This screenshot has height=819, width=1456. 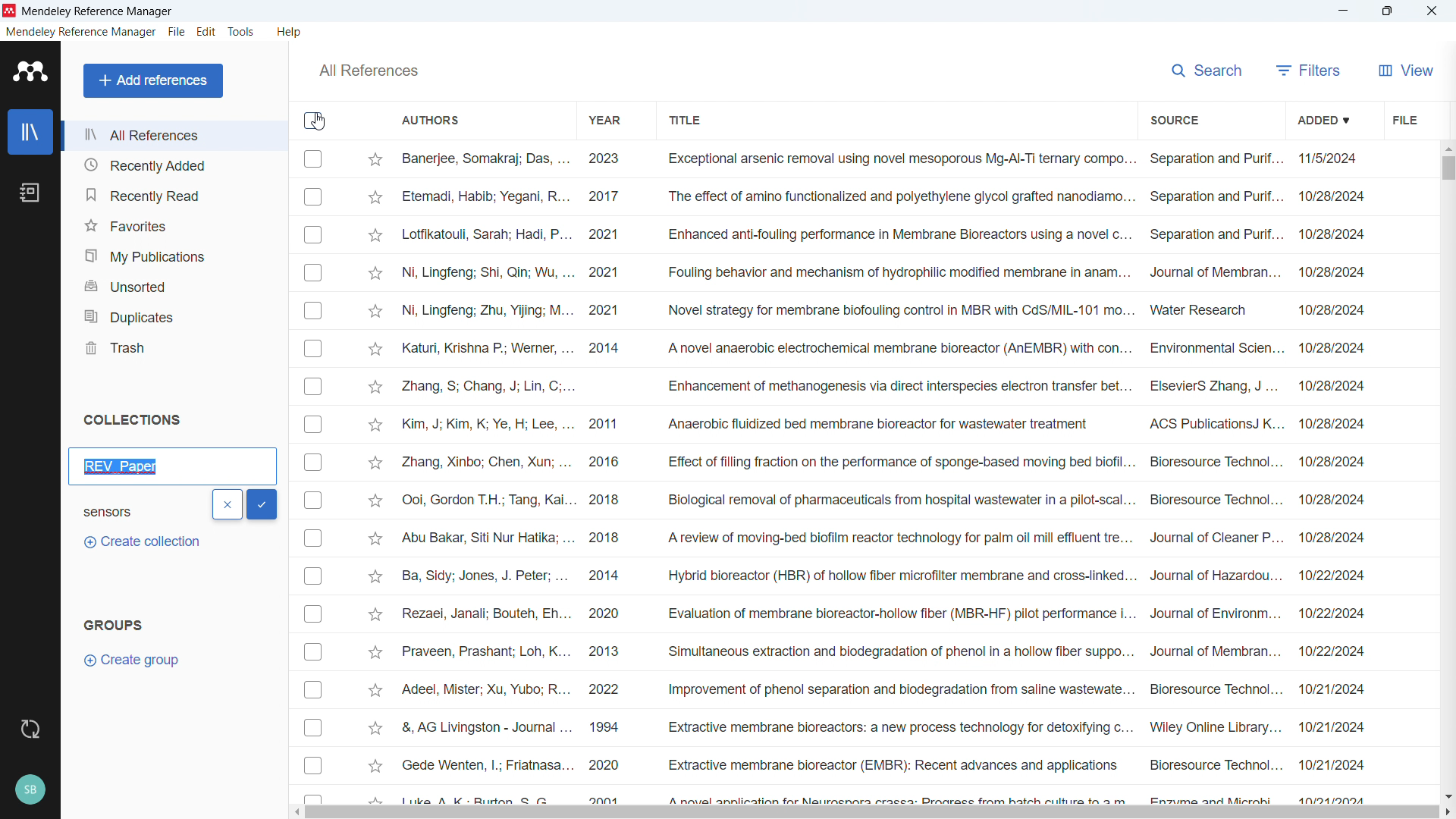 What do you see at coordinates (1390, 11) in the screenshot?
I see `maximise ` at bounding box center [1390, 11].